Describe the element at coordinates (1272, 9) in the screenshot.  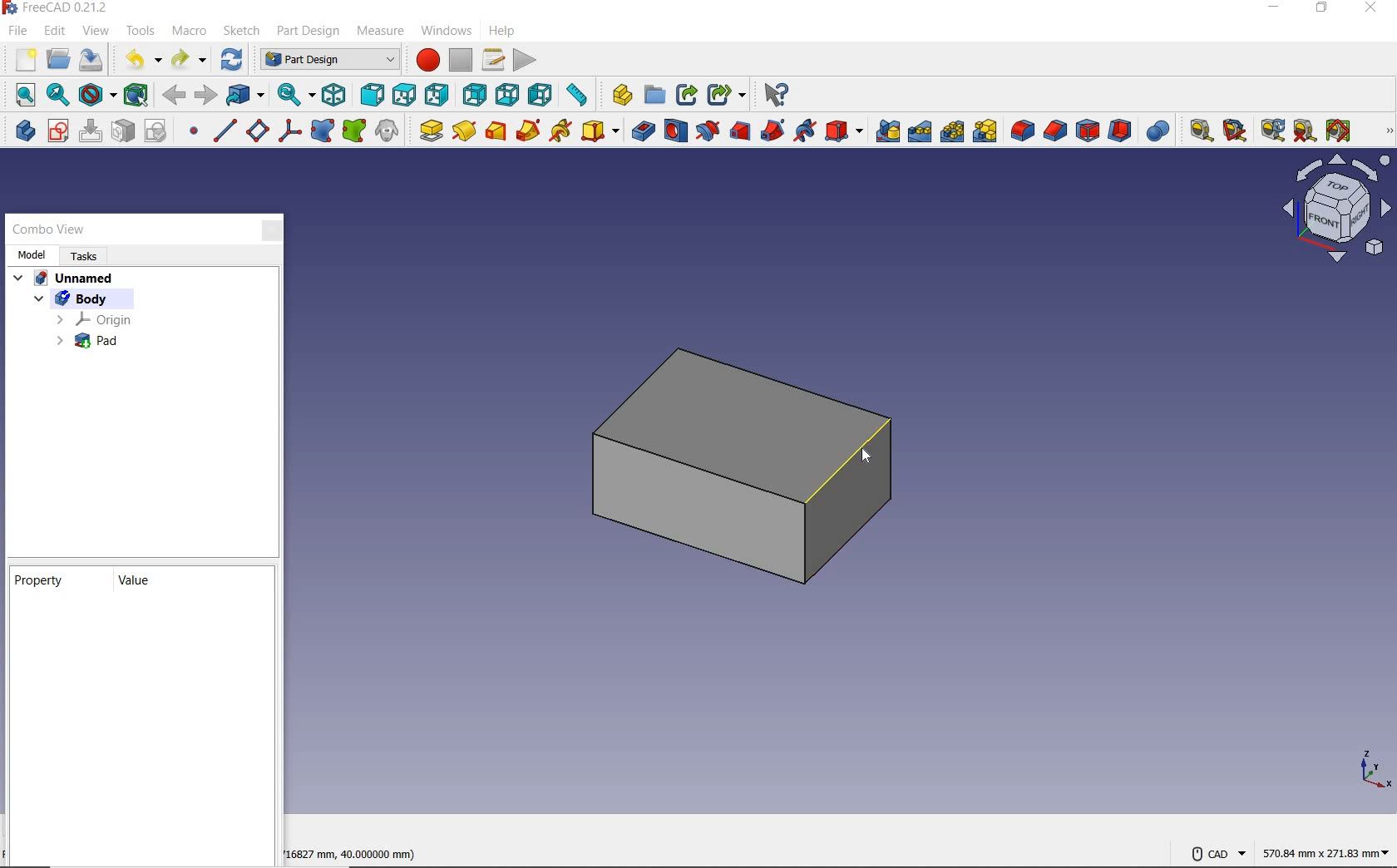
I see `minimize` at that location.